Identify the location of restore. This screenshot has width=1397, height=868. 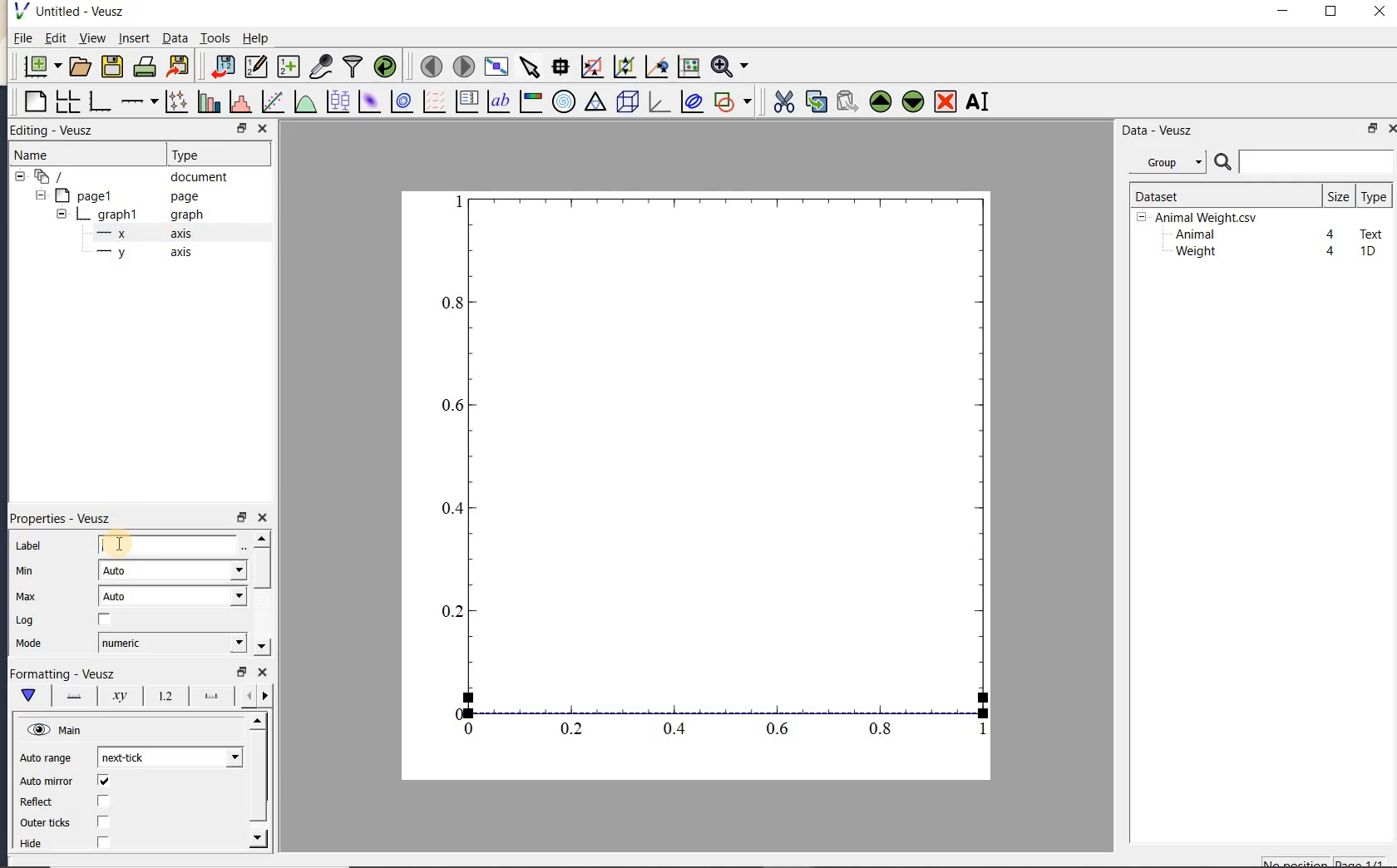
(240, 518).